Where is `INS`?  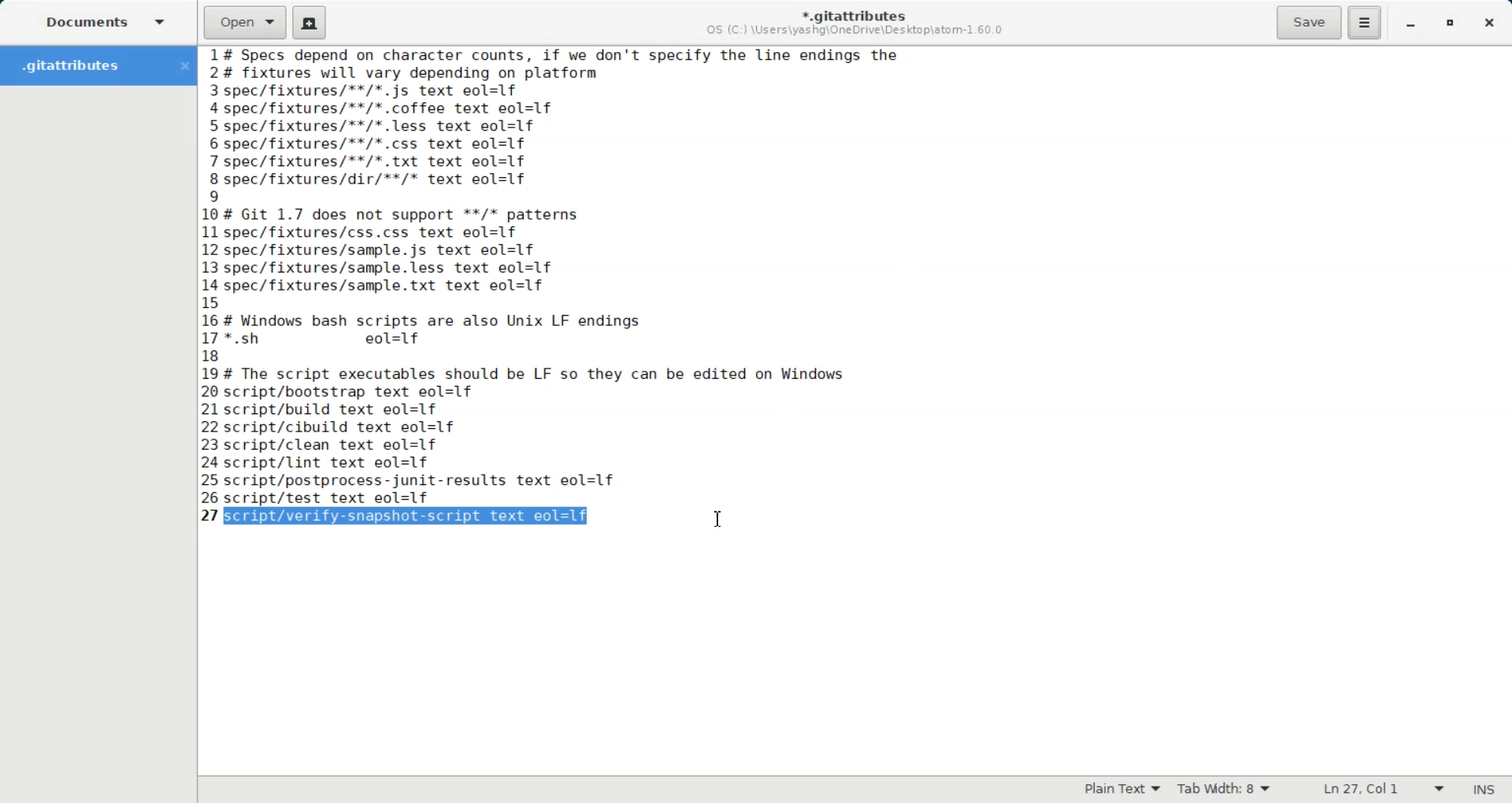 INS is located at coordinates (1484, 789).